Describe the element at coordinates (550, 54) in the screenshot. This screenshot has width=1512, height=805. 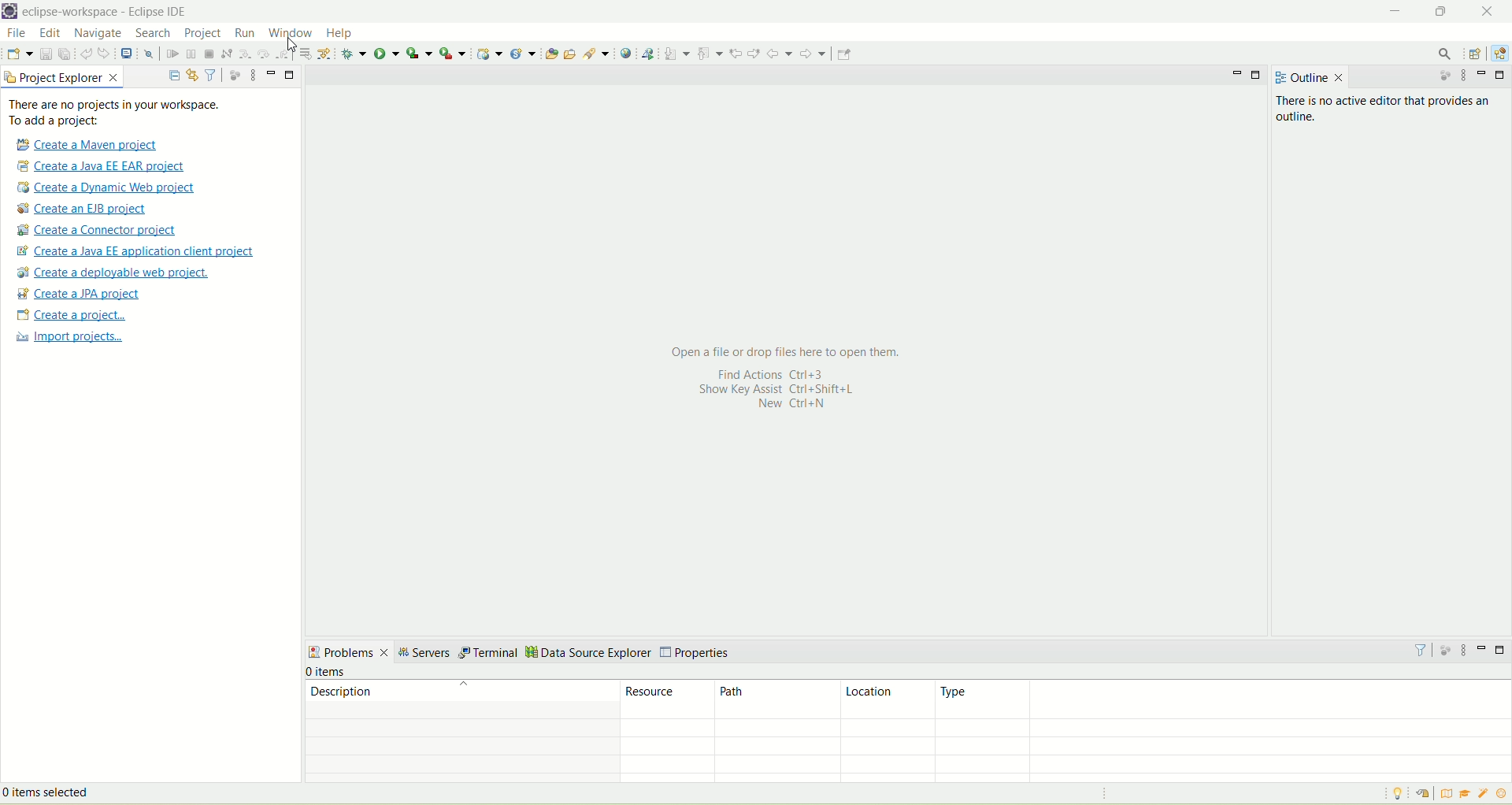
I see `open type` at that location.